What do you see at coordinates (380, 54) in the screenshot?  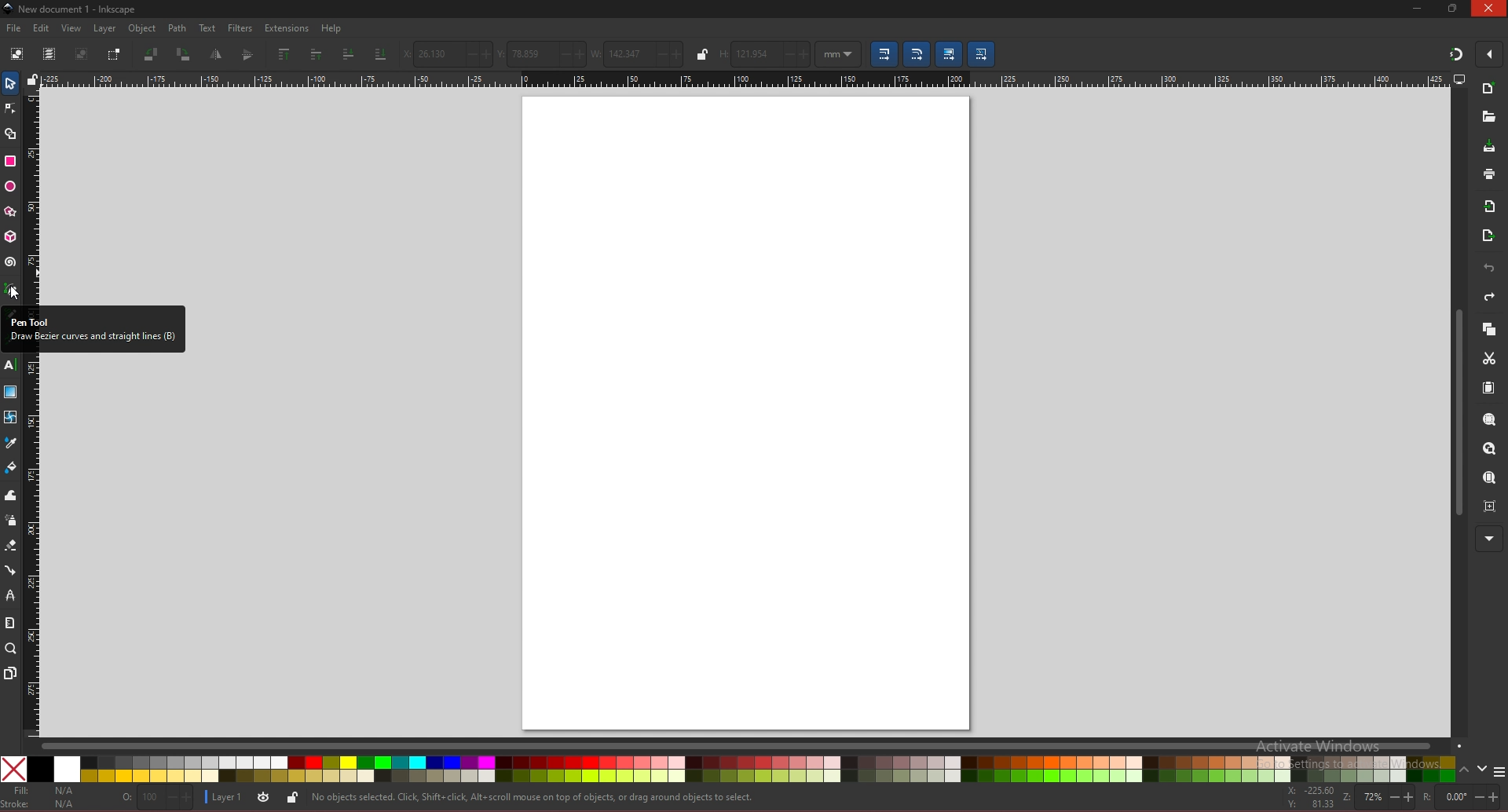 I see `lower selection to bottom` at bounding box center [380, 54].